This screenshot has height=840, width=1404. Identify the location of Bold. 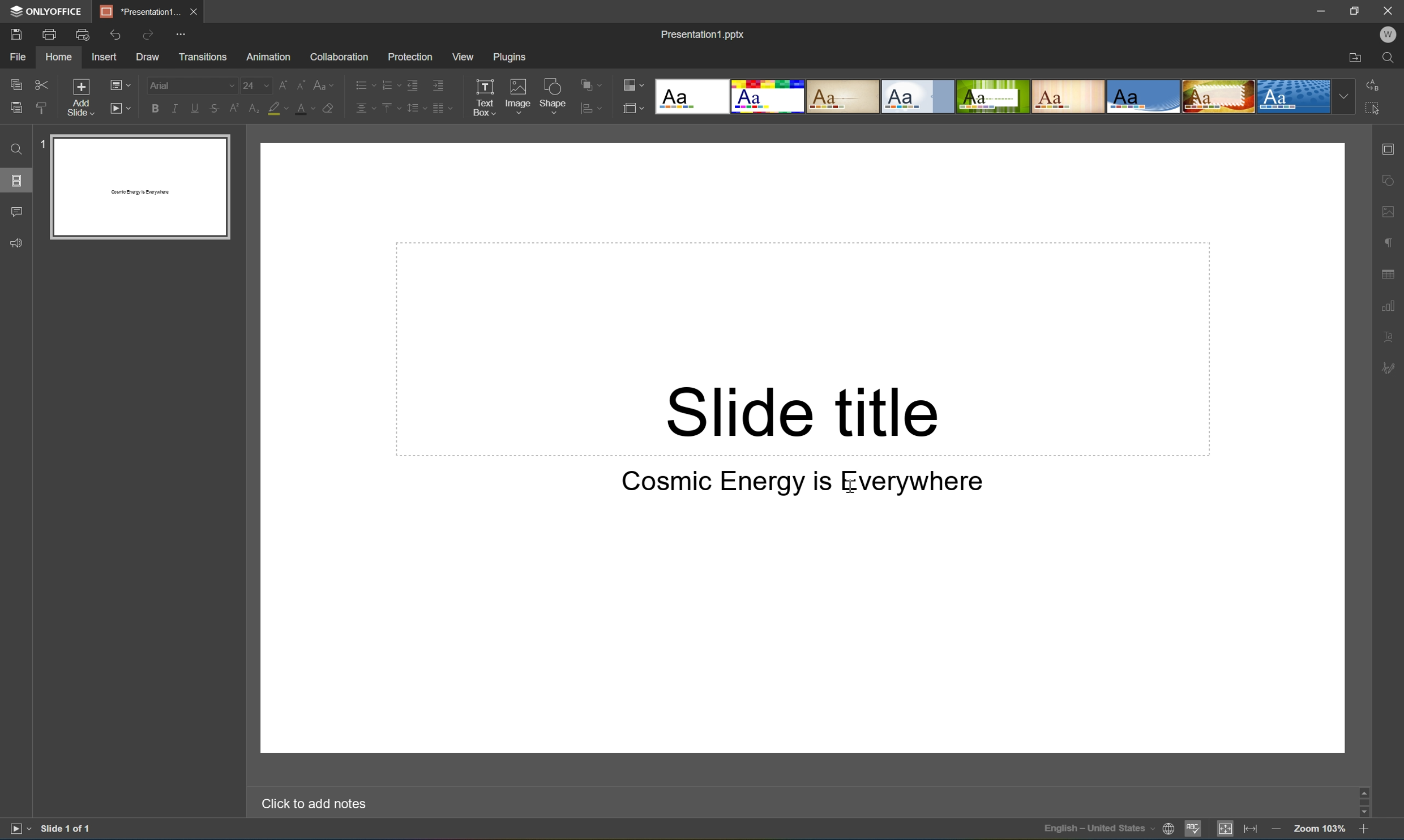
(150, 109).